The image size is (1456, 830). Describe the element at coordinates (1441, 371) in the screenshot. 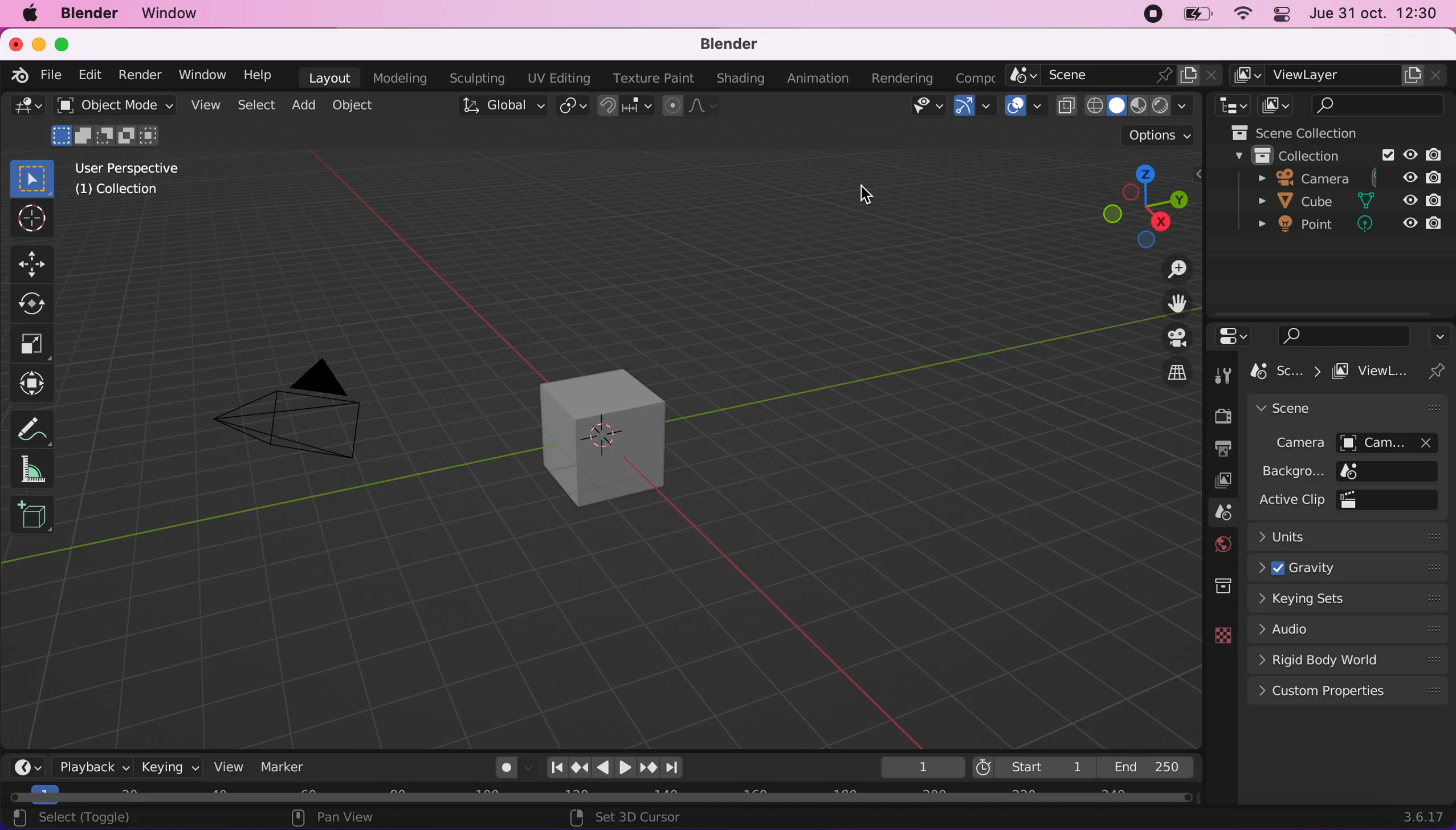

I see `pin` at that location.